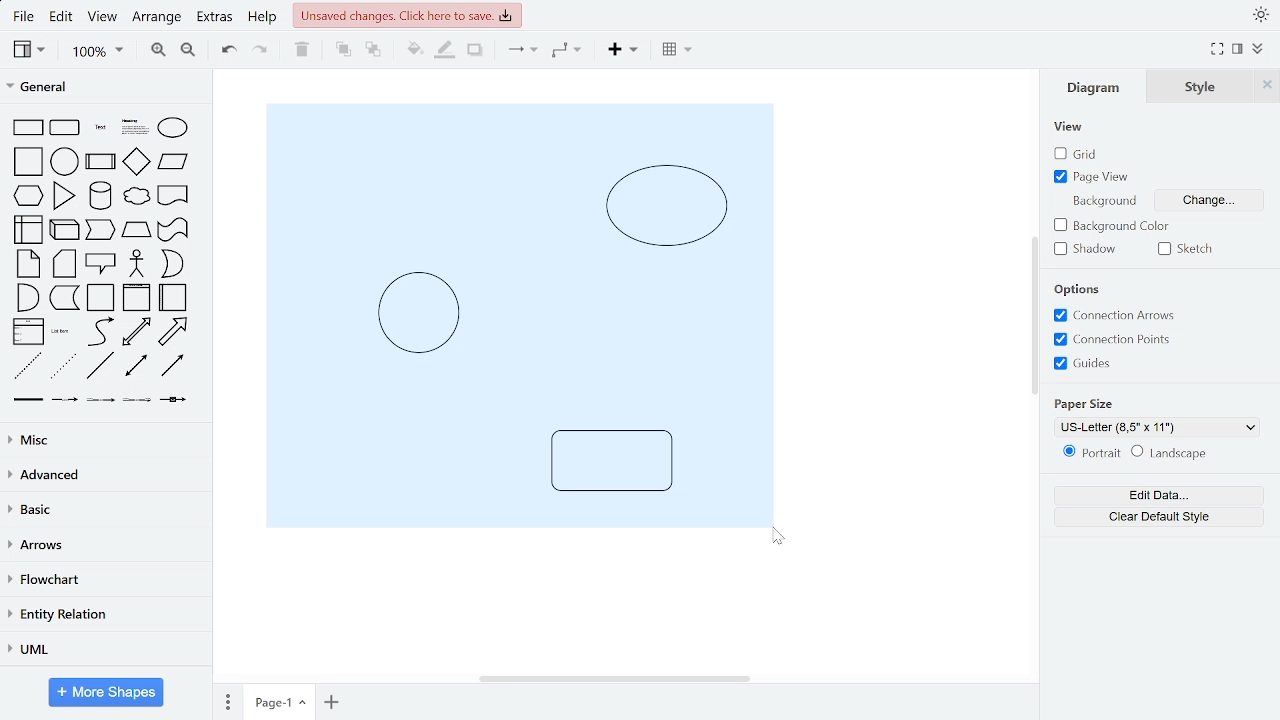 This screenshot has width=1280, height=720. What do you see at coordinates (1113, 226) in the screenshot?
I see `background color` at bounding box center [1113, 226].